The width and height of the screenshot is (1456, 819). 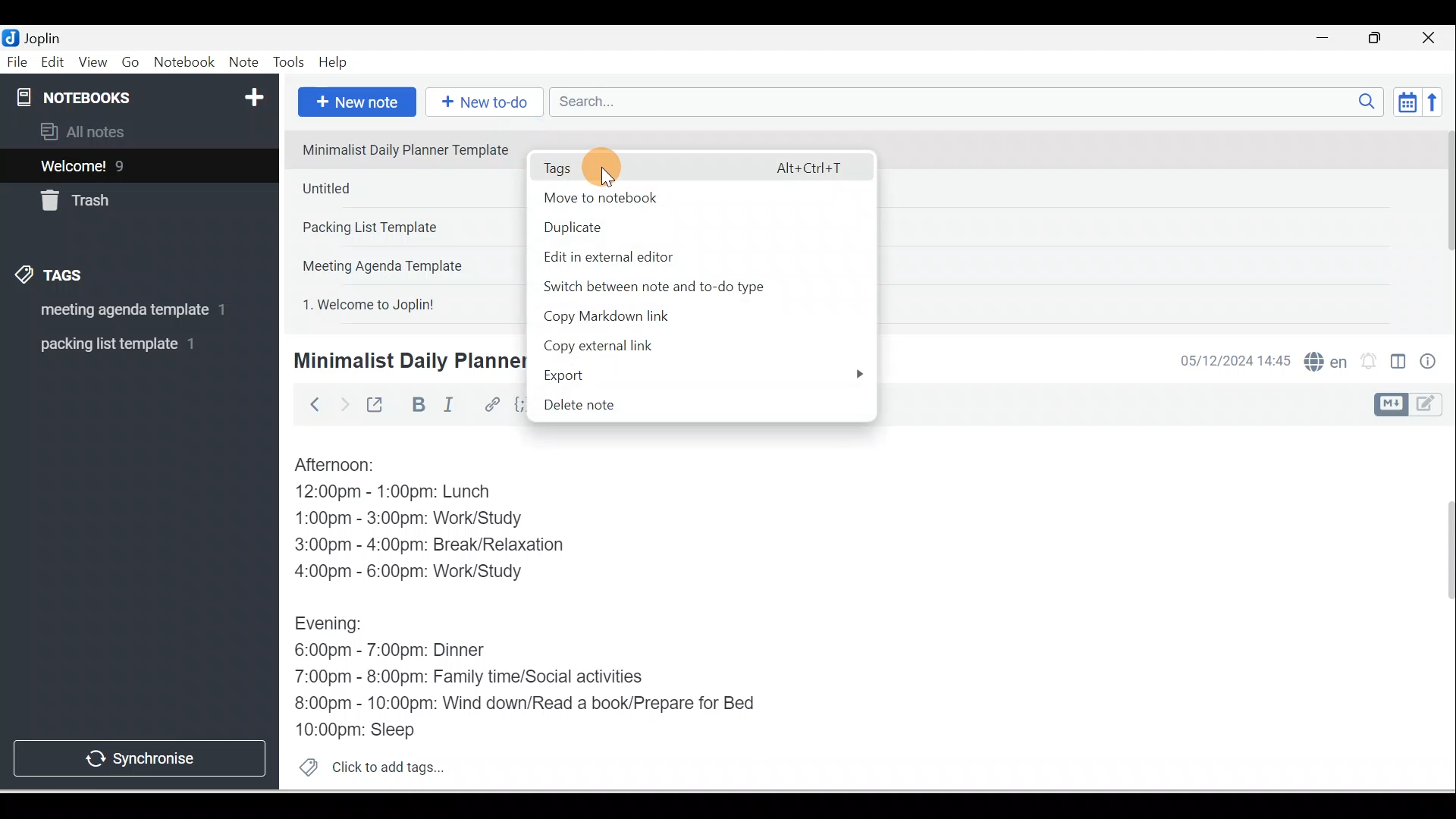 What do you see at coordinates (46, 36) in the screenshot?
I see `Joplin` at bounding box center [46, 36].